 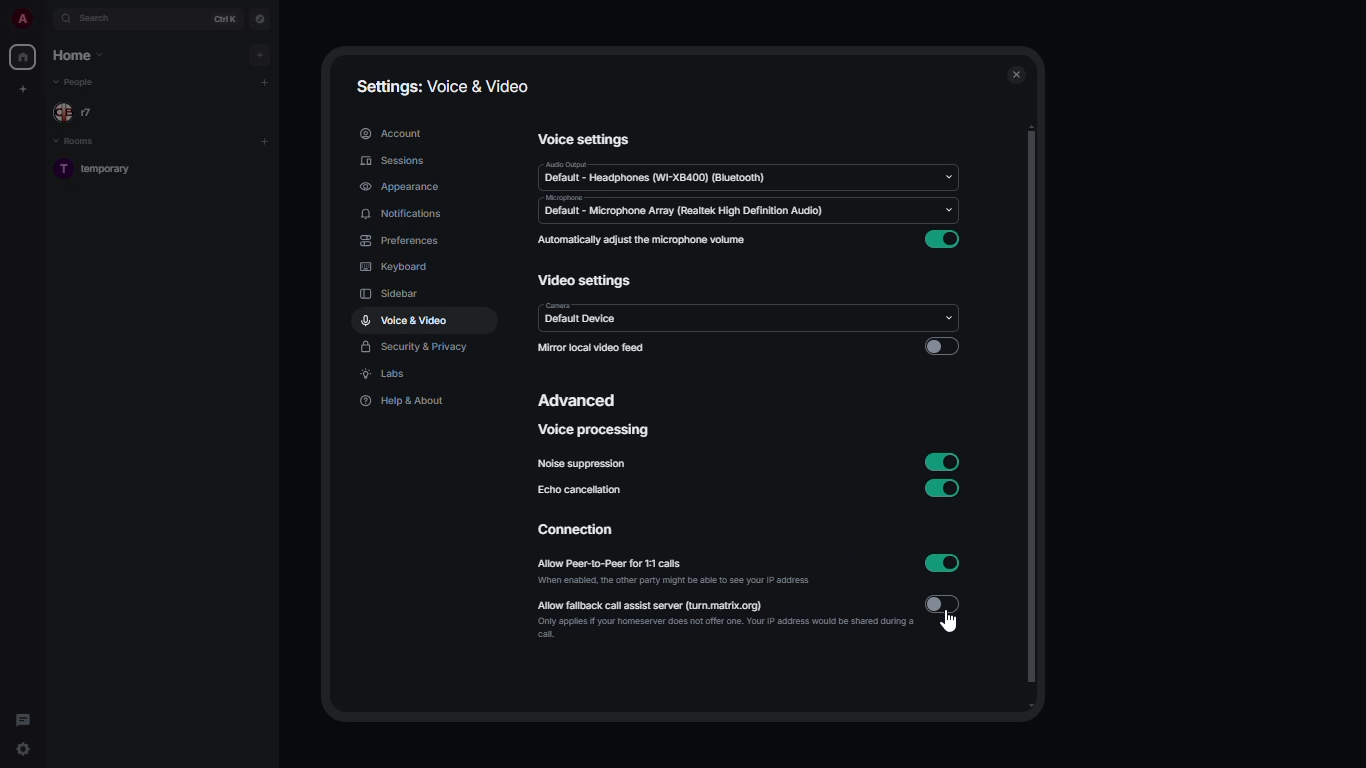 I want to click on room, so click(x=106, y=170).